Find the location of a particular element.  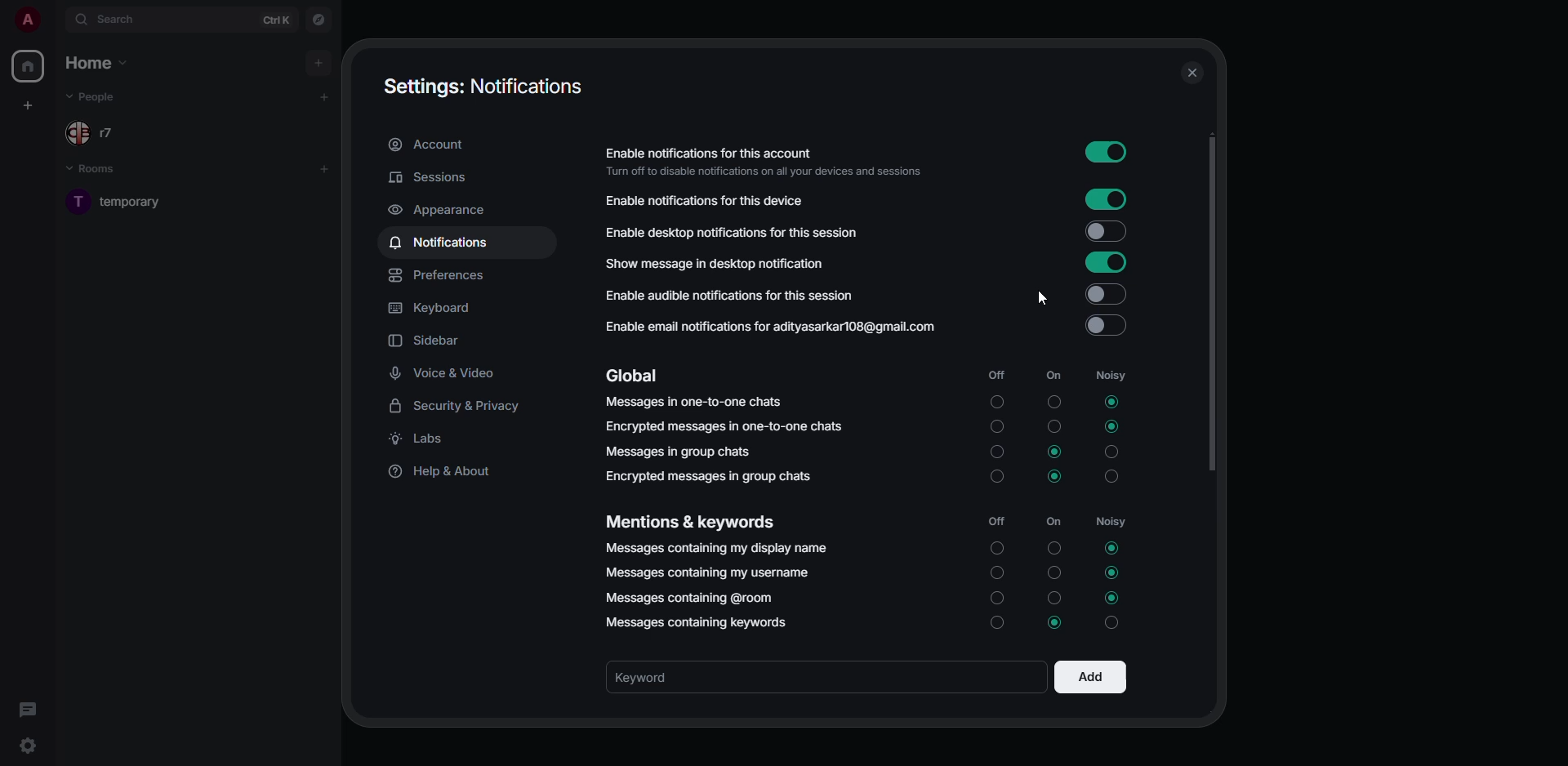

enabled is located at coordinates (1108, 263).